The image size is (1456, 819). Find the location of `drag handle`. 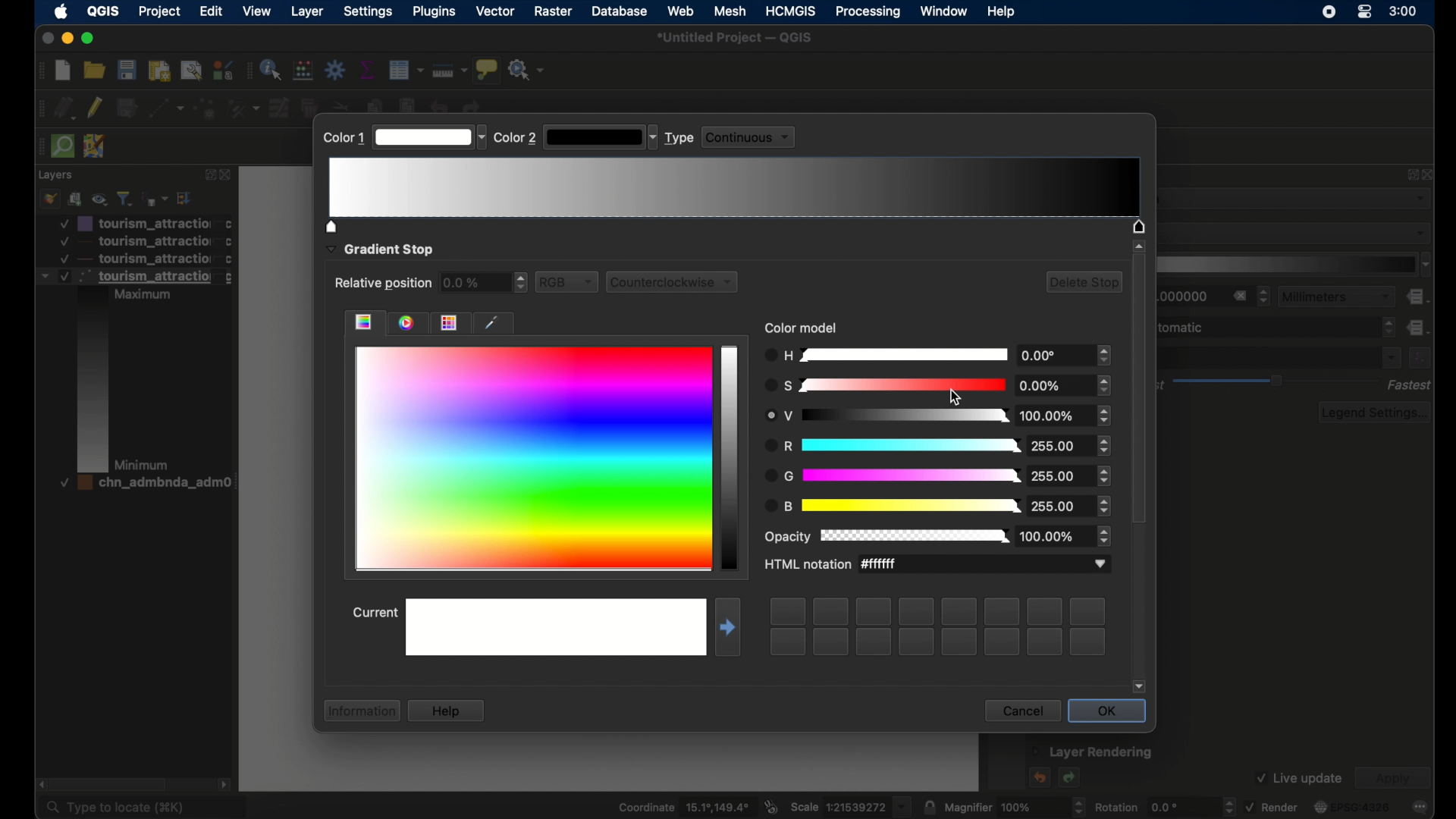

drag handle is located at coordinates (36, 146).